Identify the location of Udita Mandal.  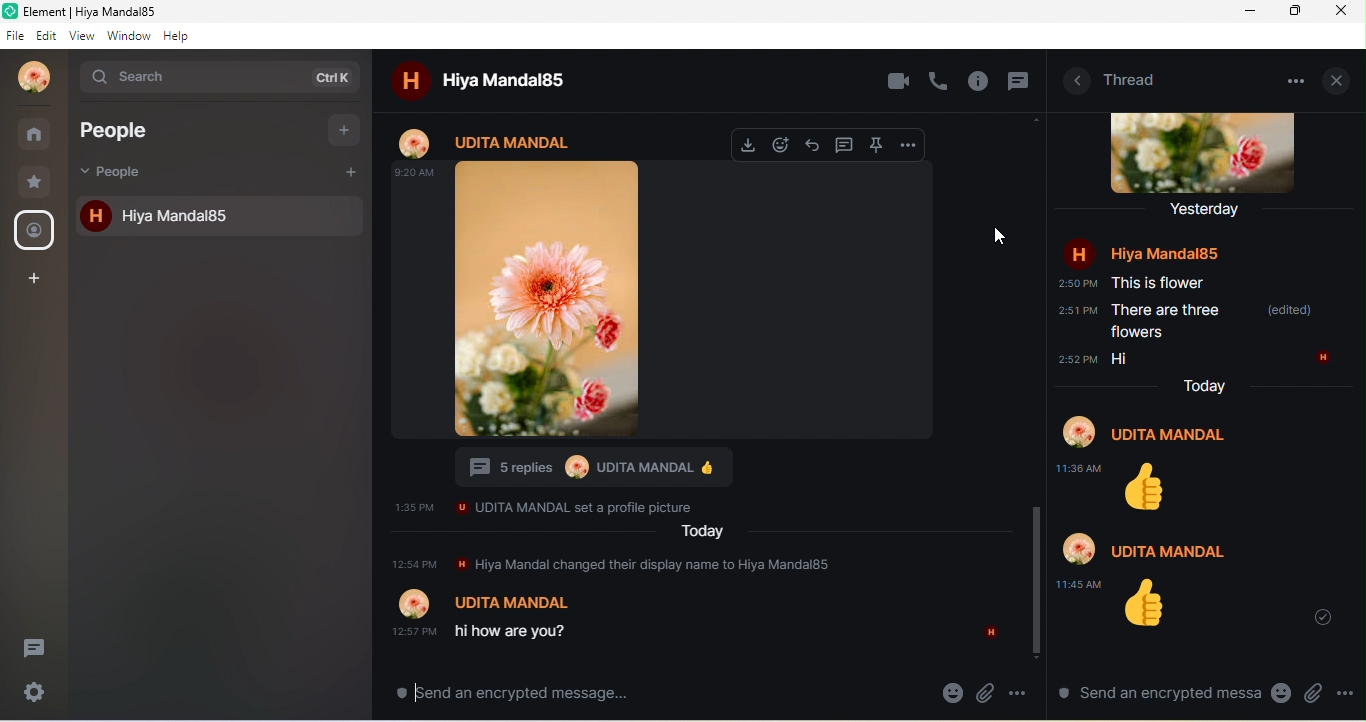
(1168, 550).